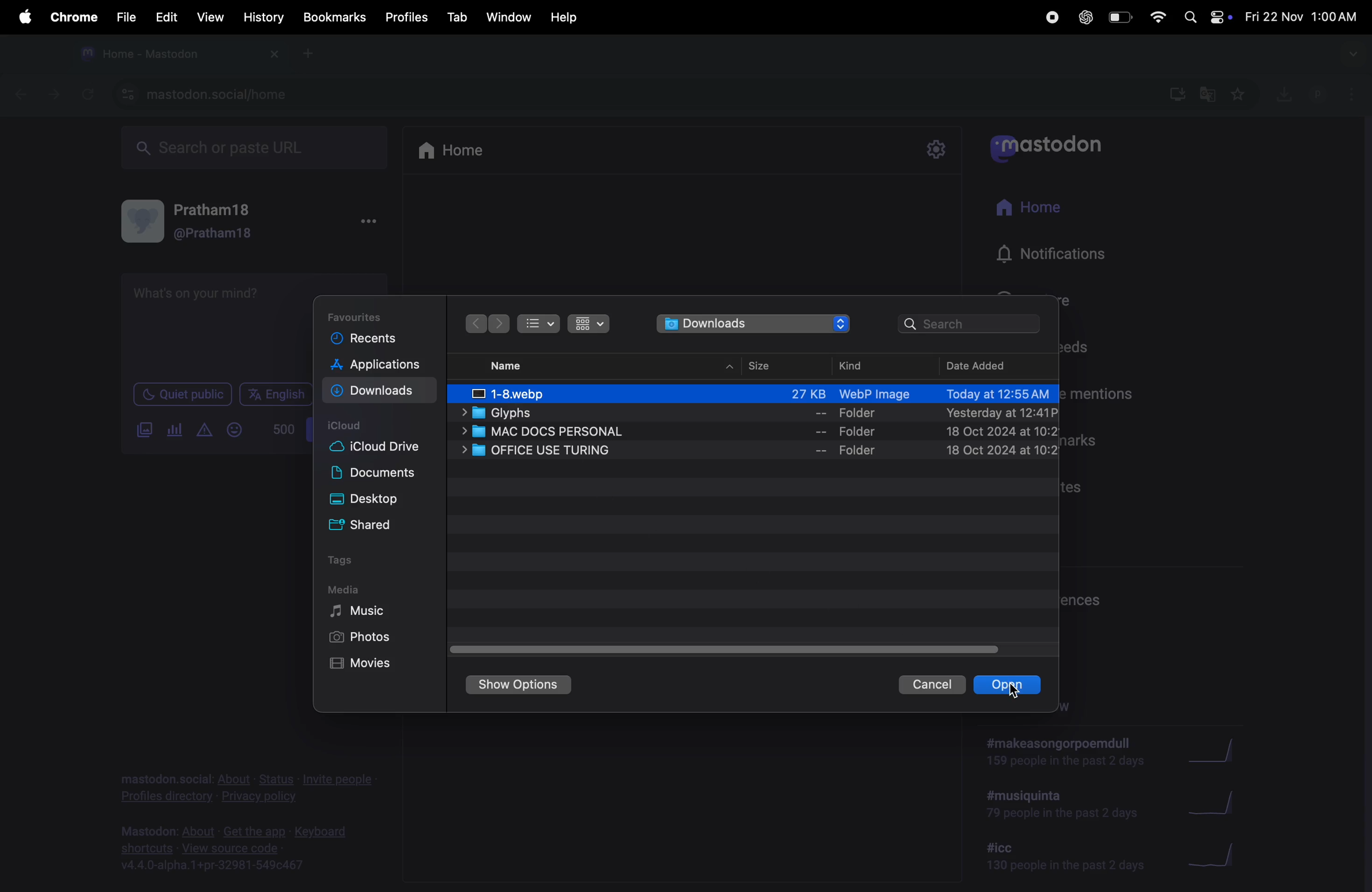 This screenshot has width=1372, height=892. I want to click on hashtags, so click(1062, 810).